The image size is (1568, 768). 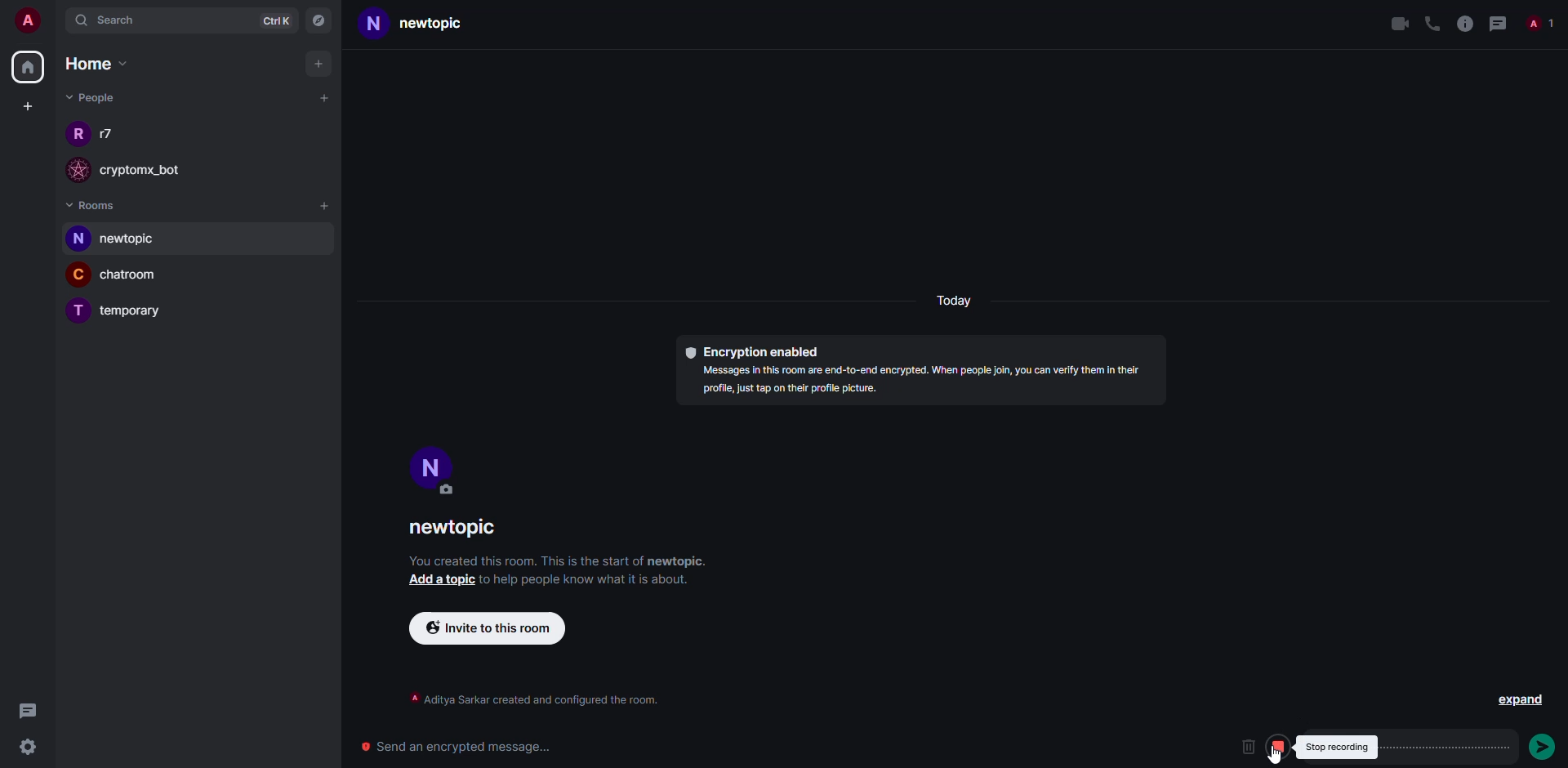 What do you see at coordinates (274, 22) in the screenshot?
I see `ctrlK` at bounding box center [274, 22].